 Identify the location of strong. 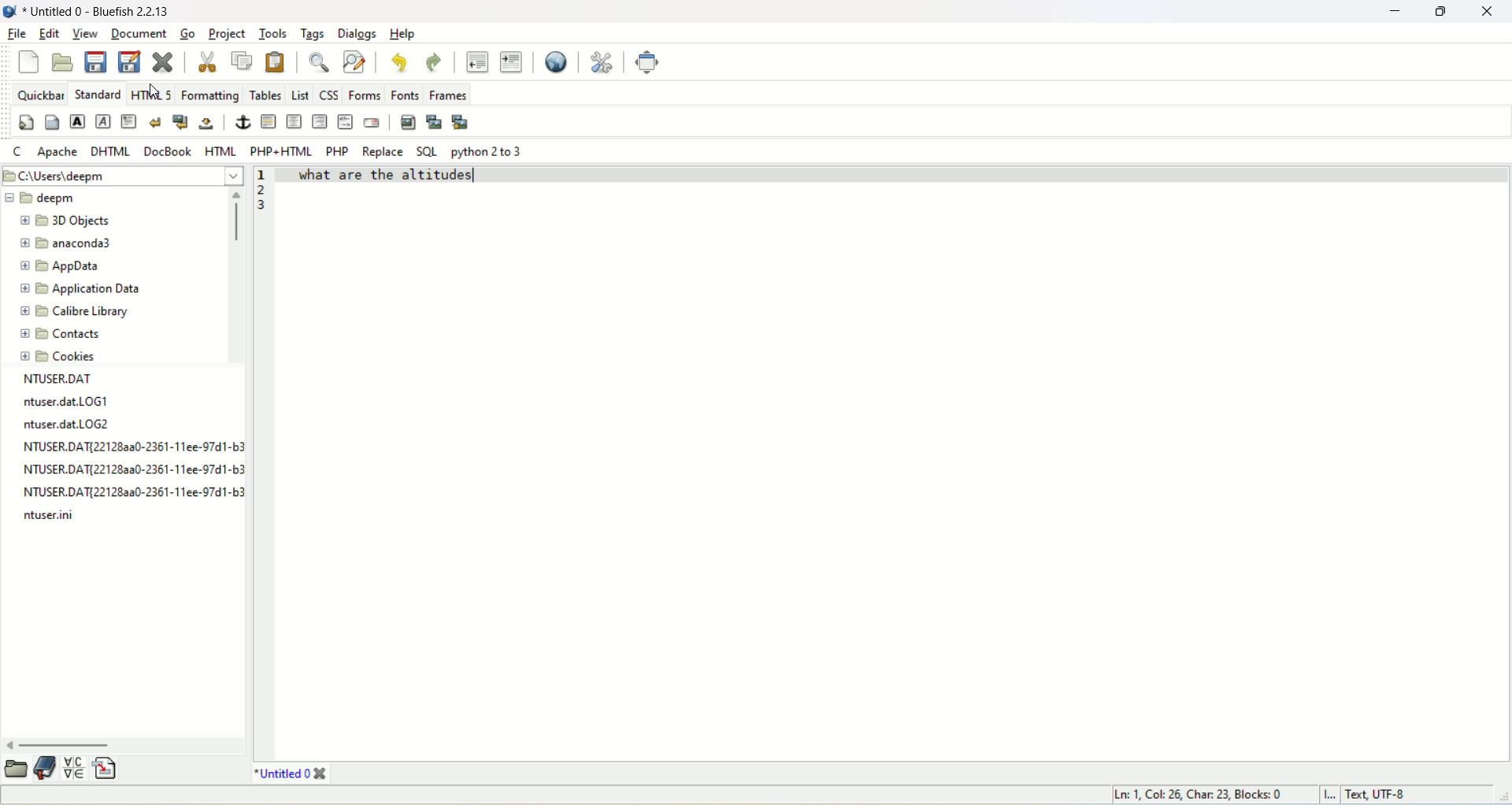
(78, 123).